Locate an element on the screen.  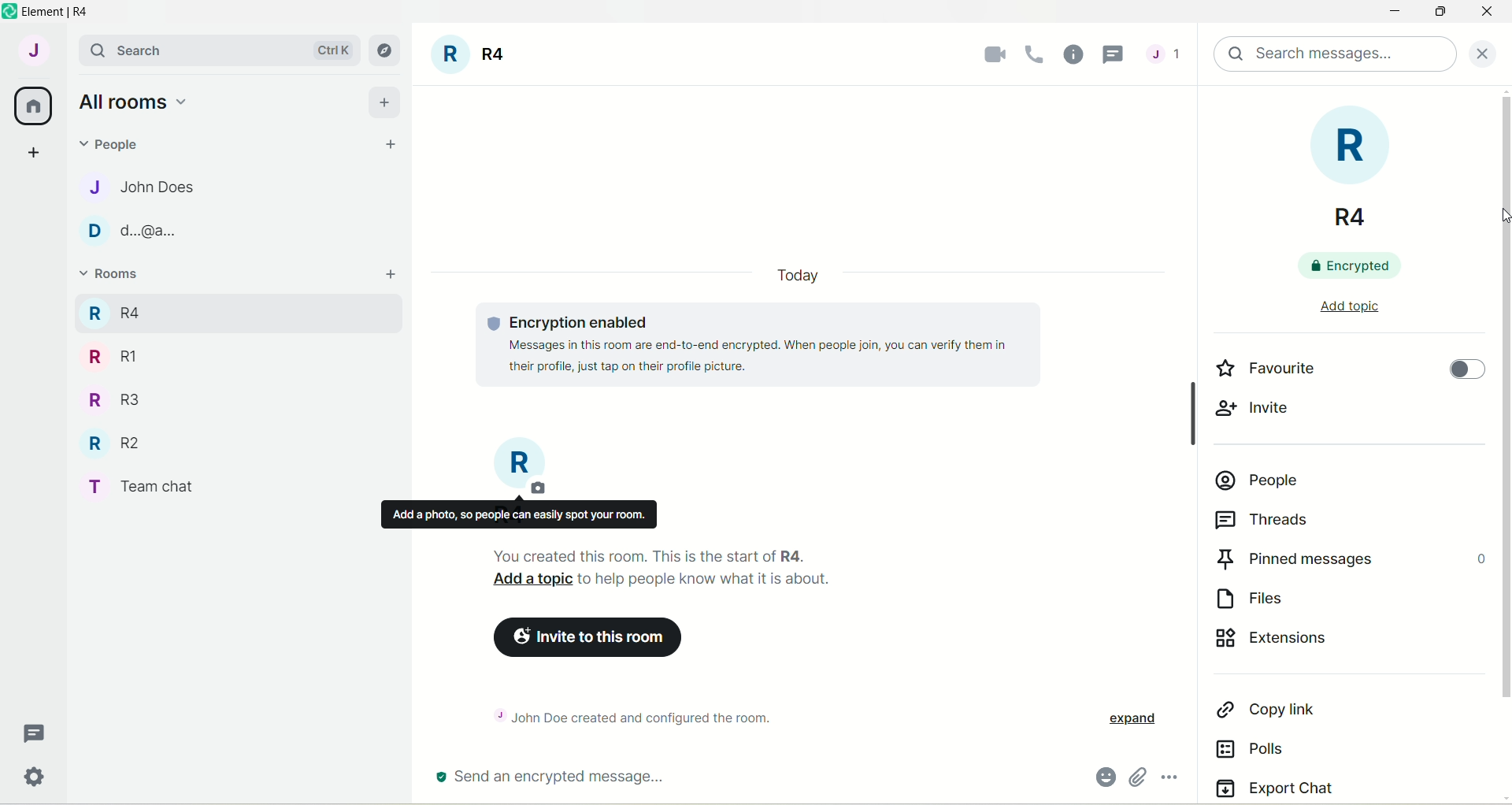
extensions is located at coordinates (1294, 642).